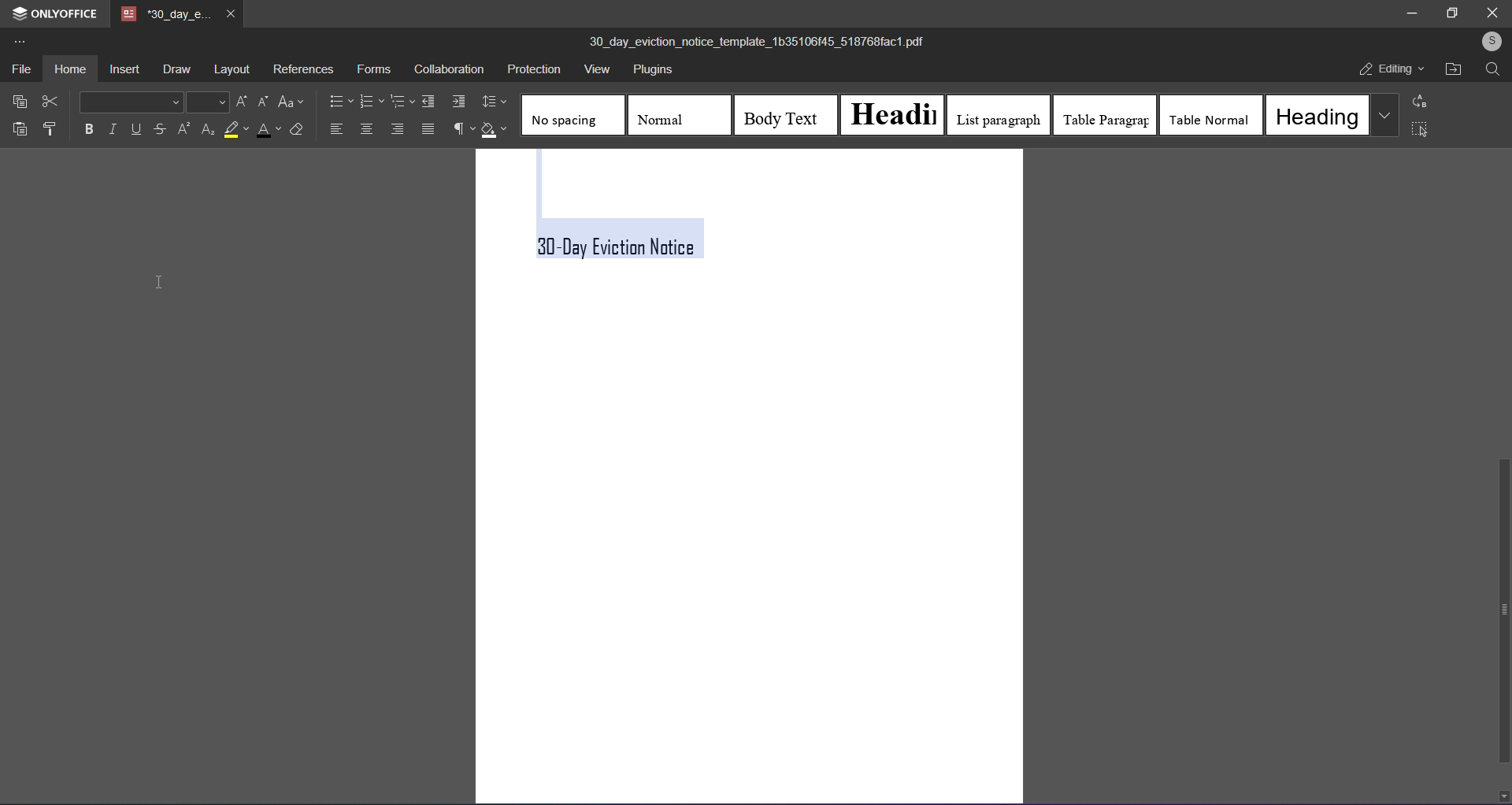 Image resolution: width=1512 pixels, height=805 pixels. Describe the element at coordinates (135, 128) in the screenshot. I see `underline` at that location.